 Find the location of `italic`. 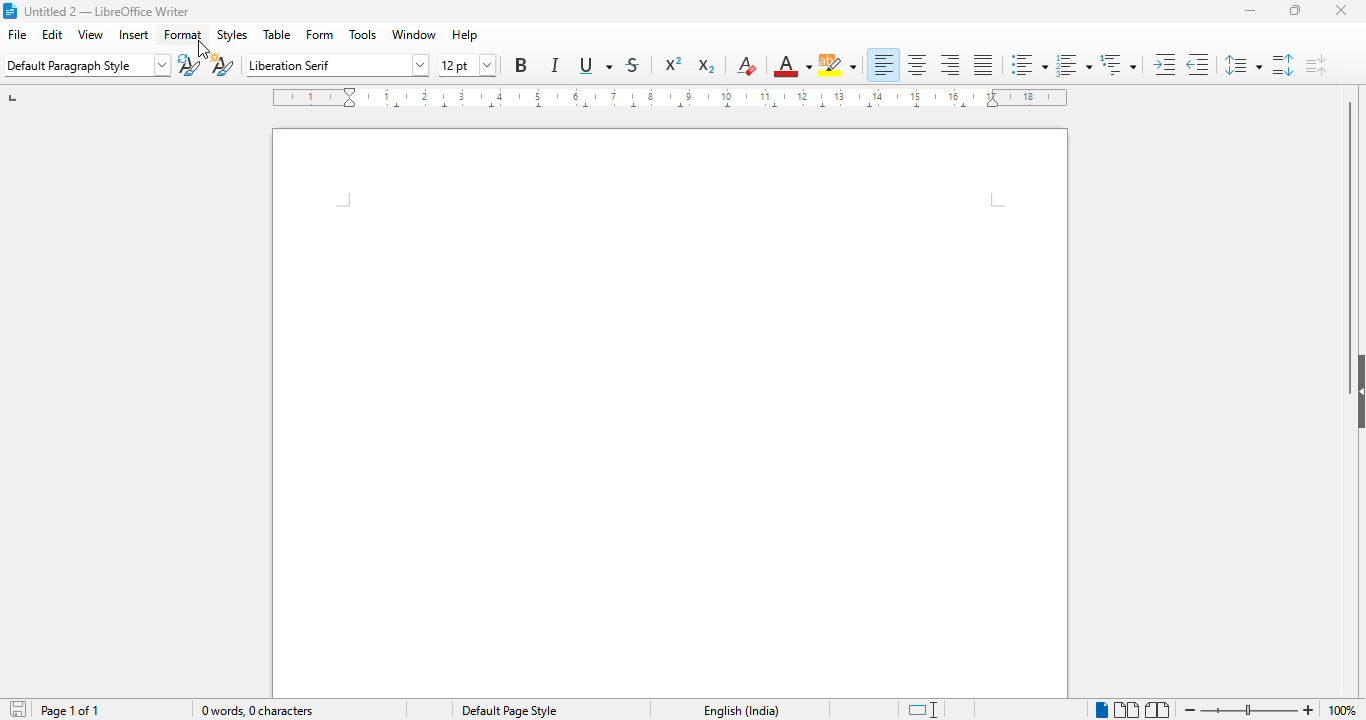

italic is located at coordinates (555, 65).